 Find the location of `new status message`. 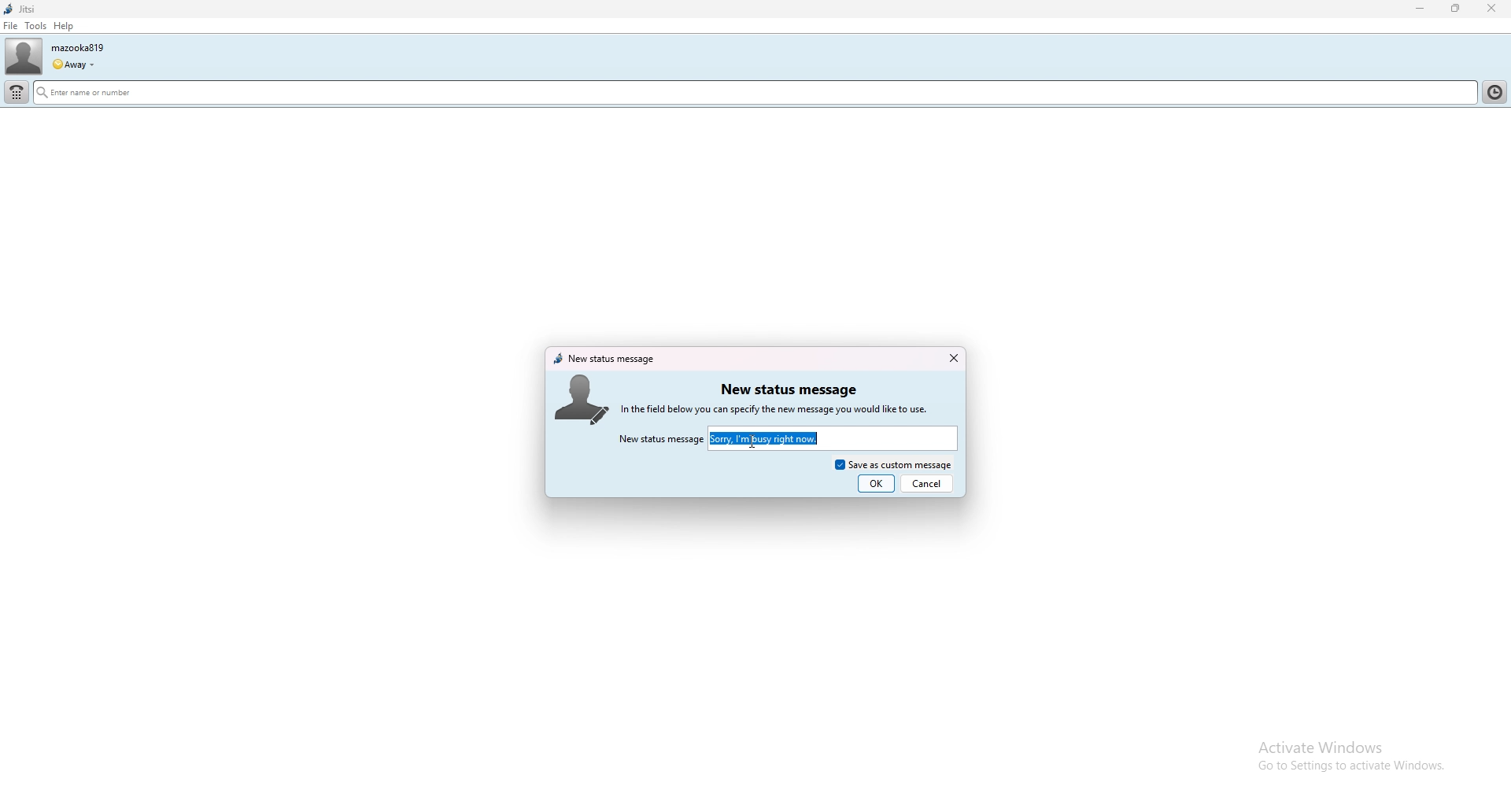

new status message is located at coordinates (788, 389).